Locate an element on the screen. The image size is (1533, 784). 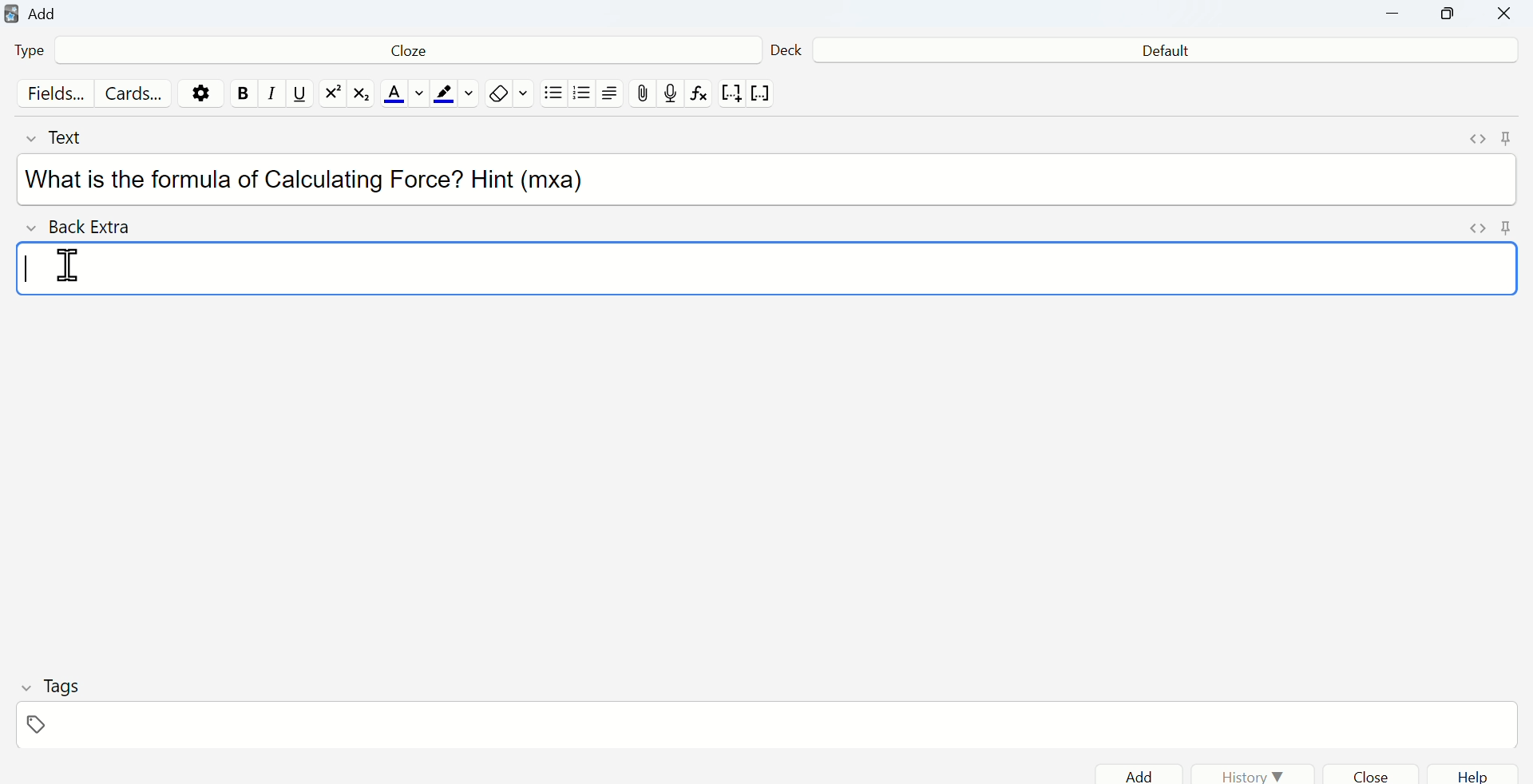
Settings is located at coordinates (204, 93).